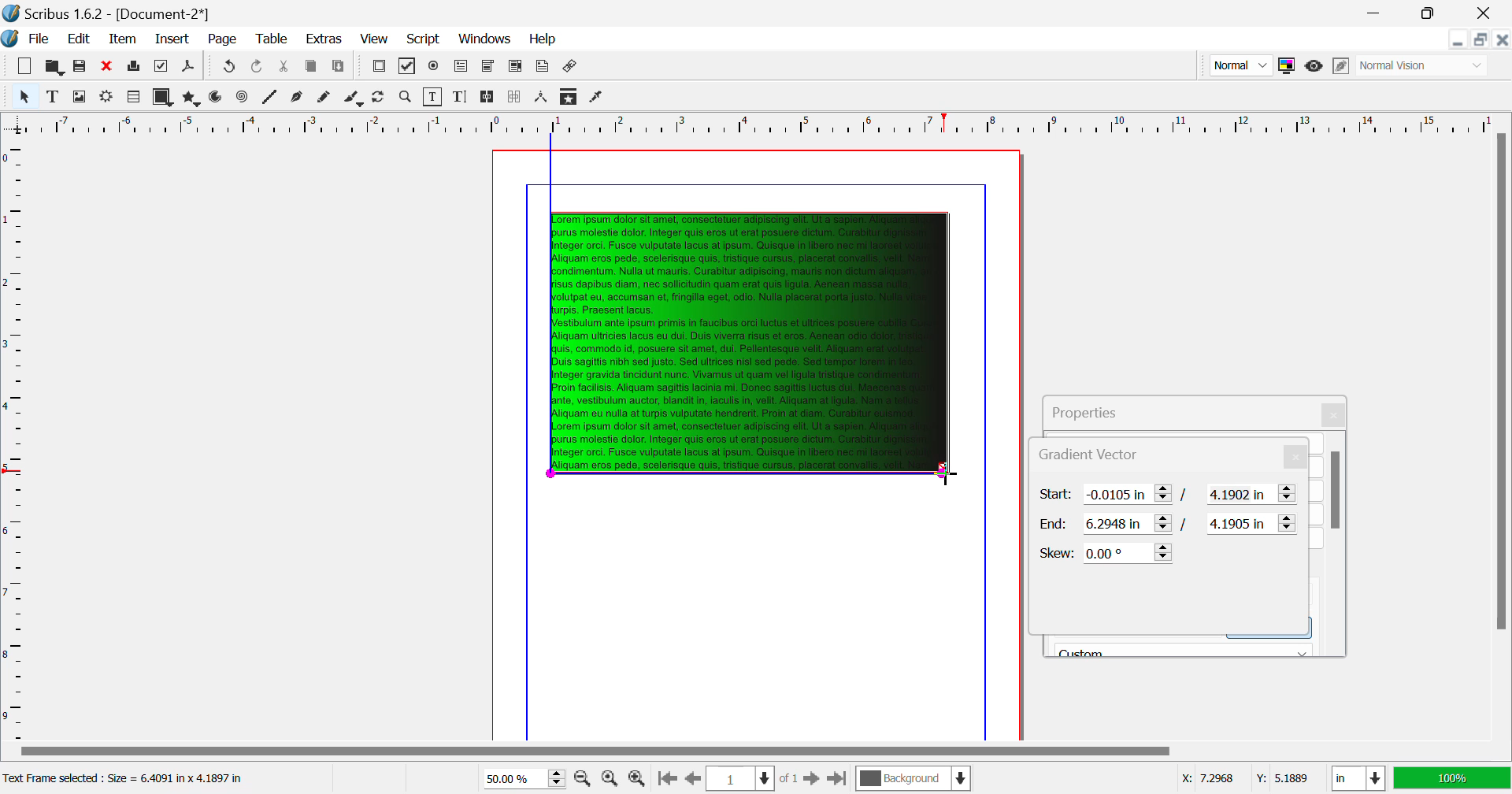 The height and width of the screenshot is (794, 1512). Describe the element at coordinates (1169, 495) in the screenshot. I see `Gradient Vector Start` at that location.